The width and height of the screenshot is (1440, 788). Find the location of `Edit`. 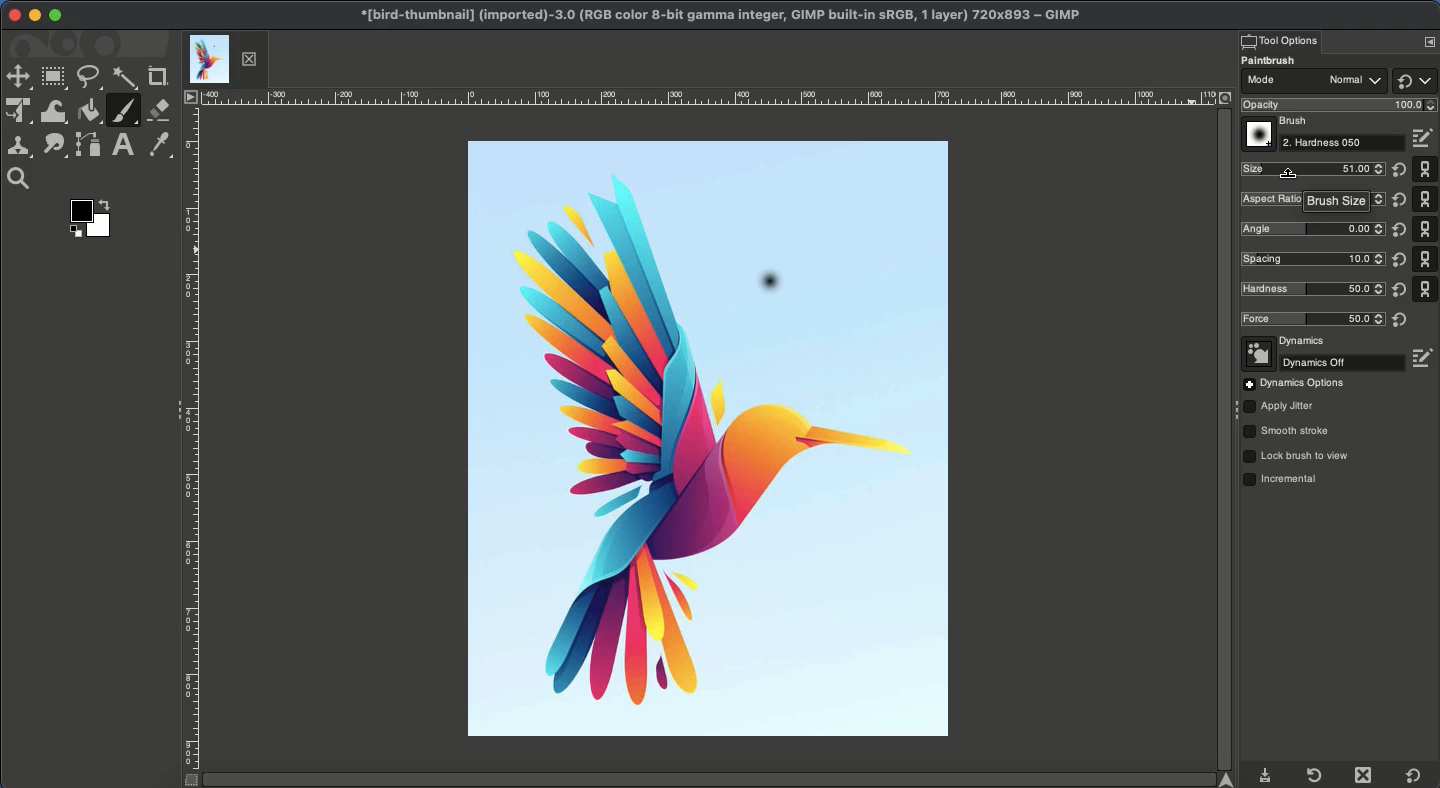

Edit is located at coordinates (1425, 139).